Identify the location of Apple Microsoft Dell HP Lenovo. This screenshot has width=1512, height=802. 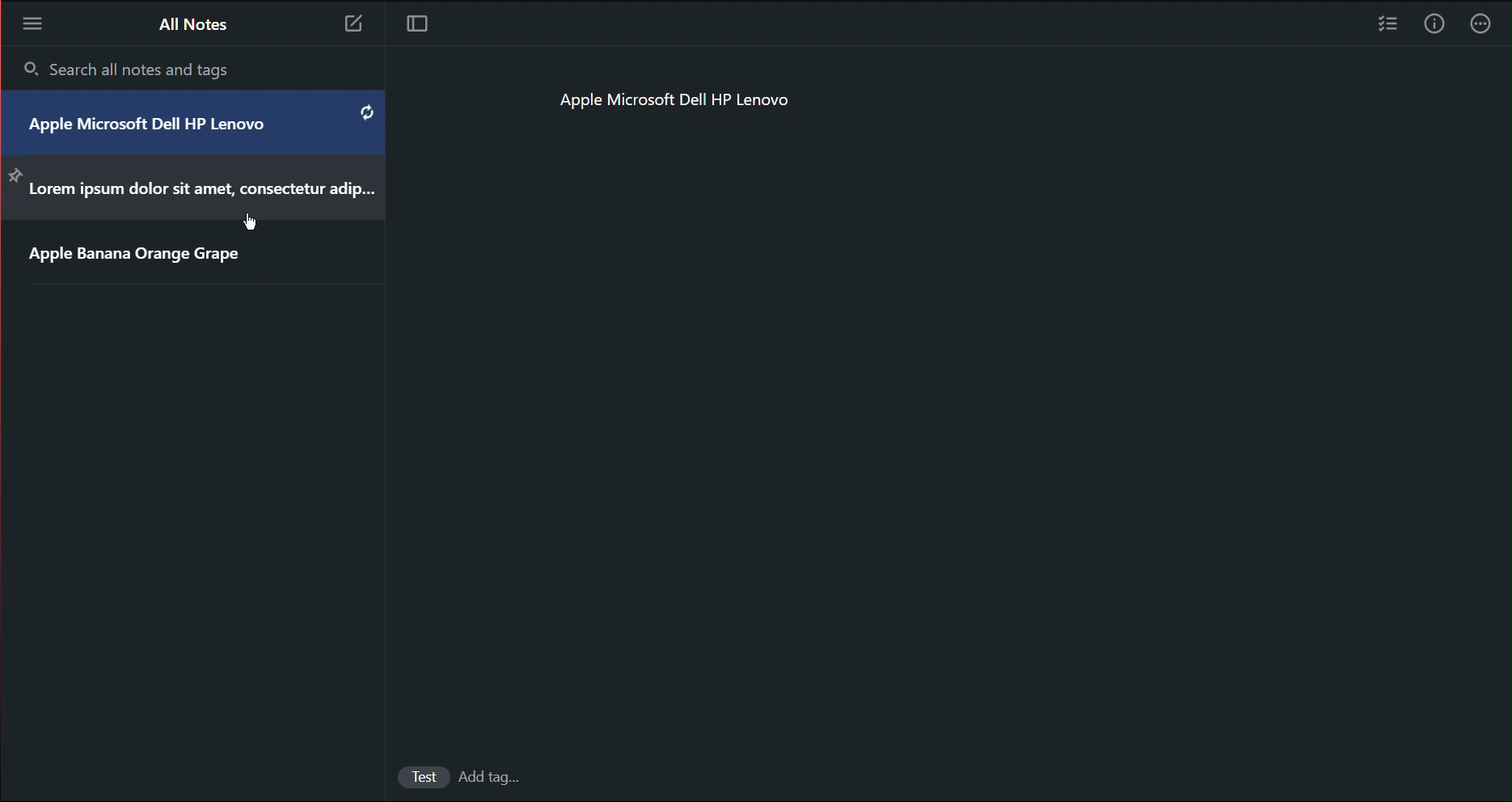
(676, 104).